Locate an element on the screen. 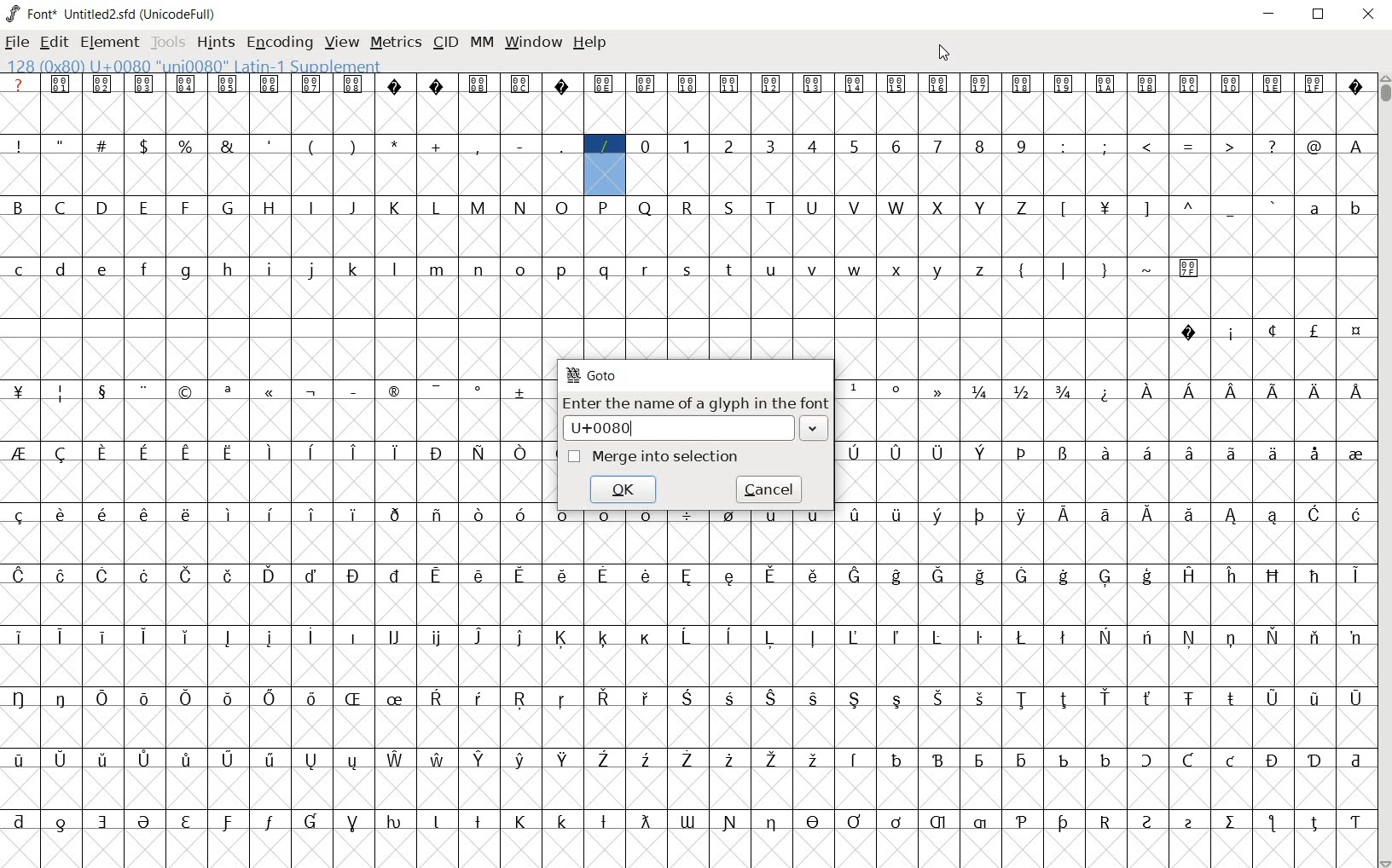 The height and width of the screenshot is (868, 1392). glyph is located at coordinates (101, 144).